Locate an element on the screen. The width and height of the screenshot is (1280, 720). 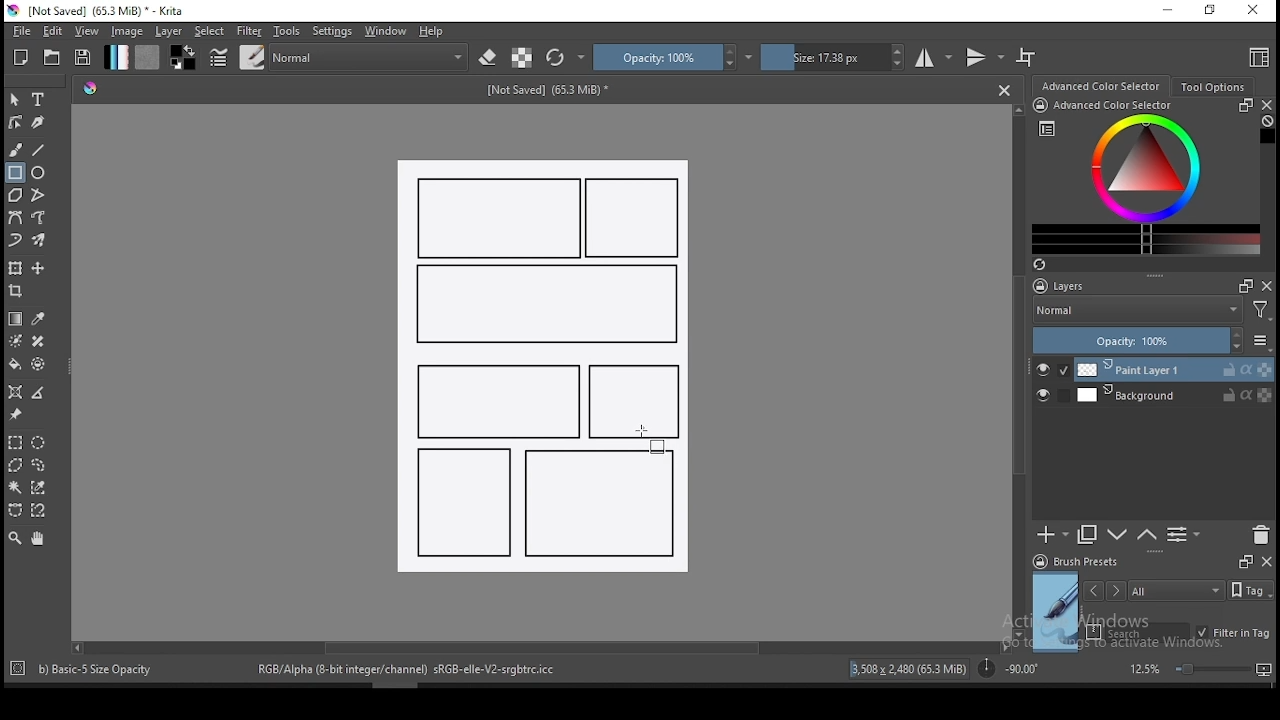
ellipse tool is located at coordinates (39, 171).